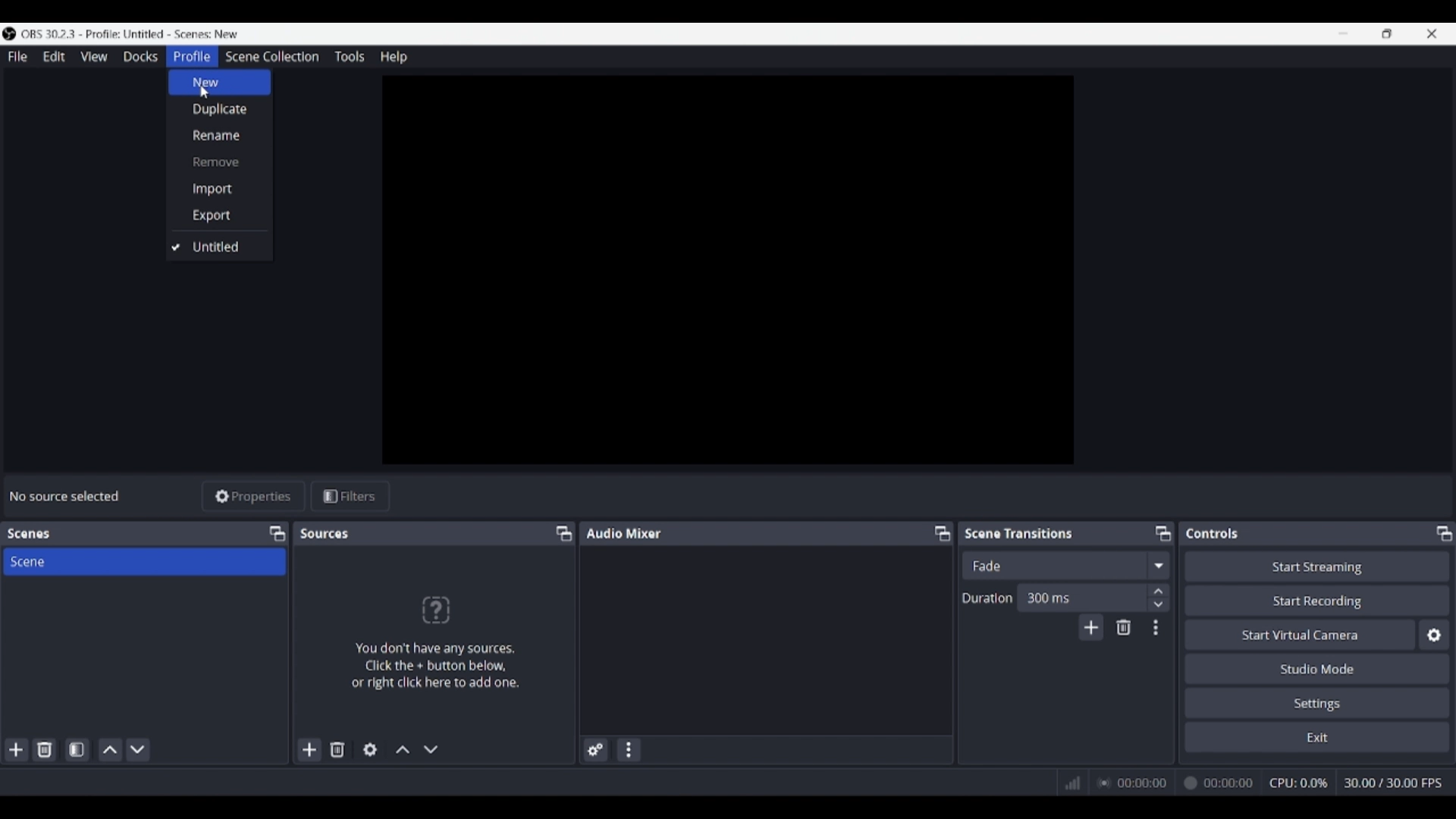  Describe the element at coordinates (434, 642) in the screenshot. I see `Panel logo and text` at that location.